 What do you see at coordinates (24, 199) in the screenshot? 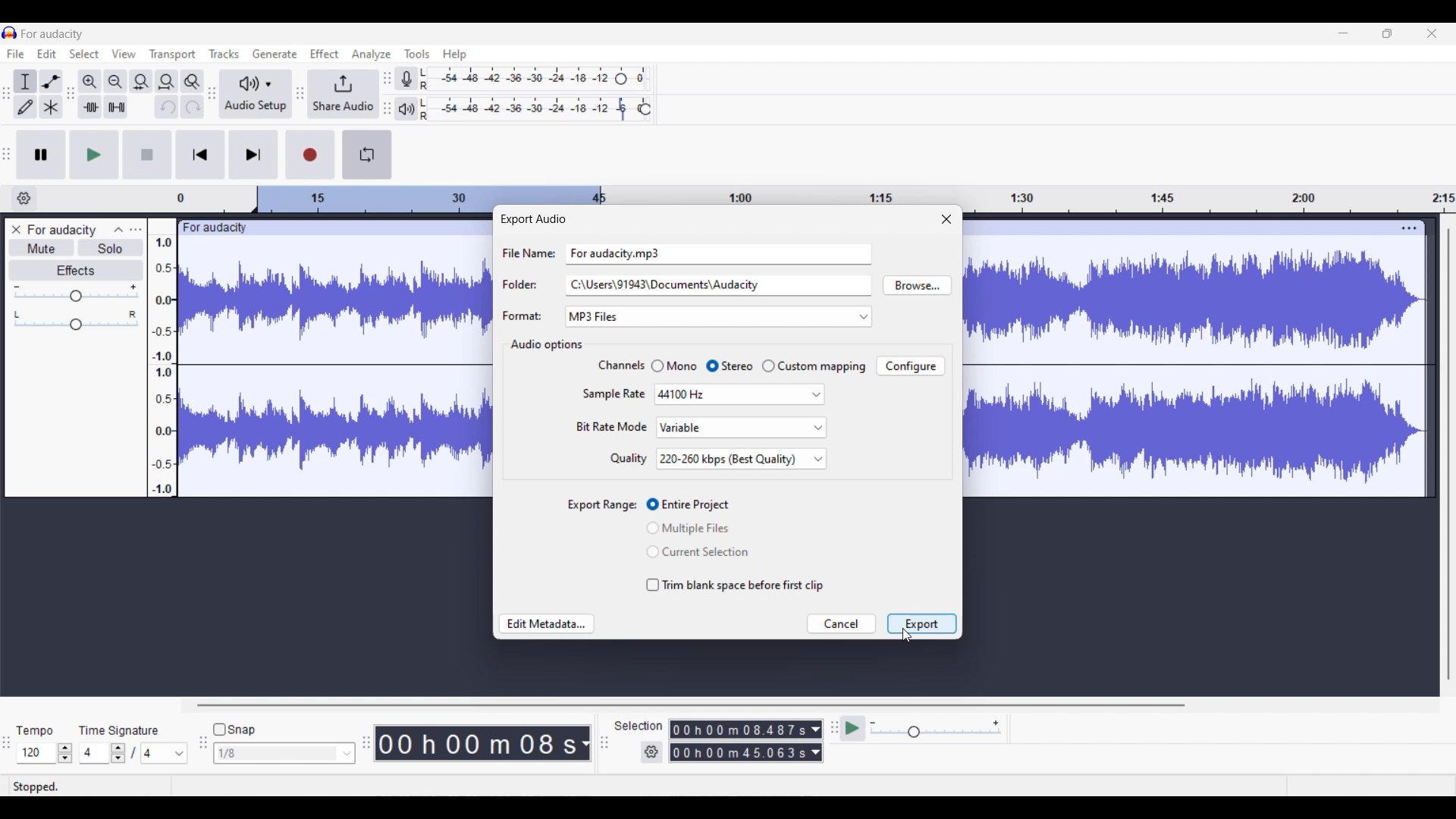
I see `Timeline options` at bounding box center [24, 199].